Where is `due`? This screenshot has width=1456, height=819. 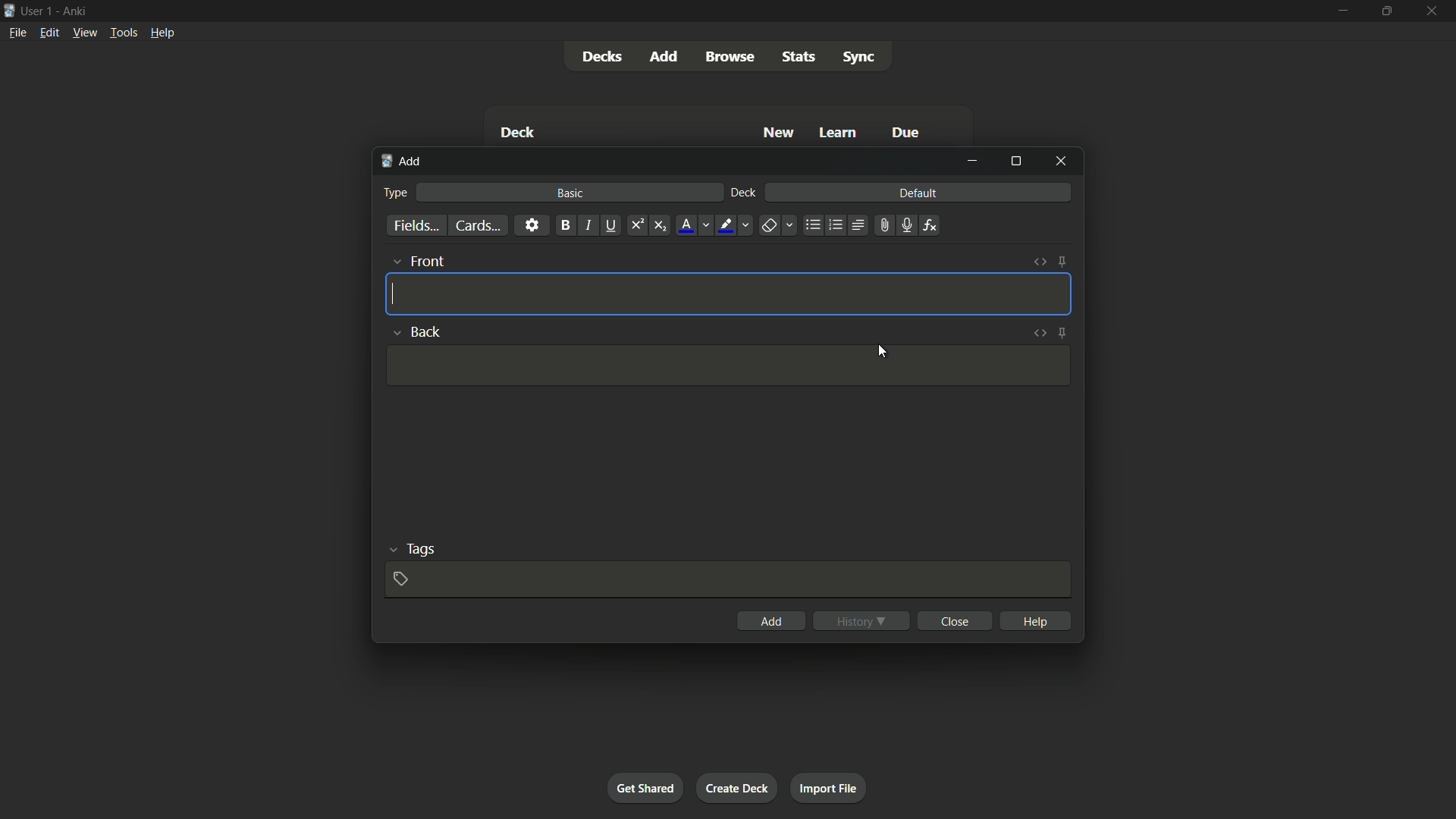 due is located at coordinates (908, 131).